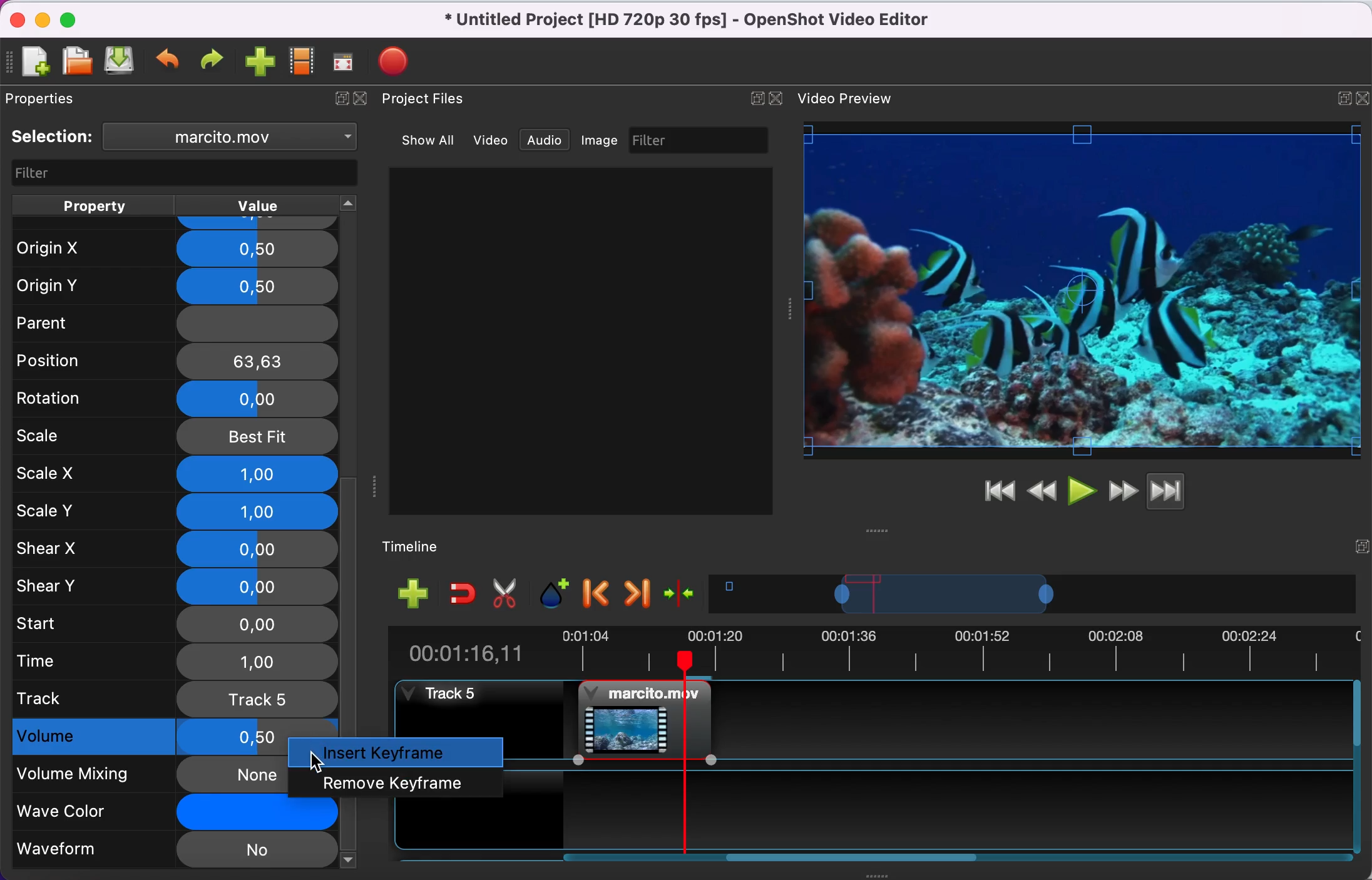 The image size is (1372, 880). What do you see at coordinates (177, 436) in the screenshot?
I see `scale best fit` at bounding box center [177, 436].